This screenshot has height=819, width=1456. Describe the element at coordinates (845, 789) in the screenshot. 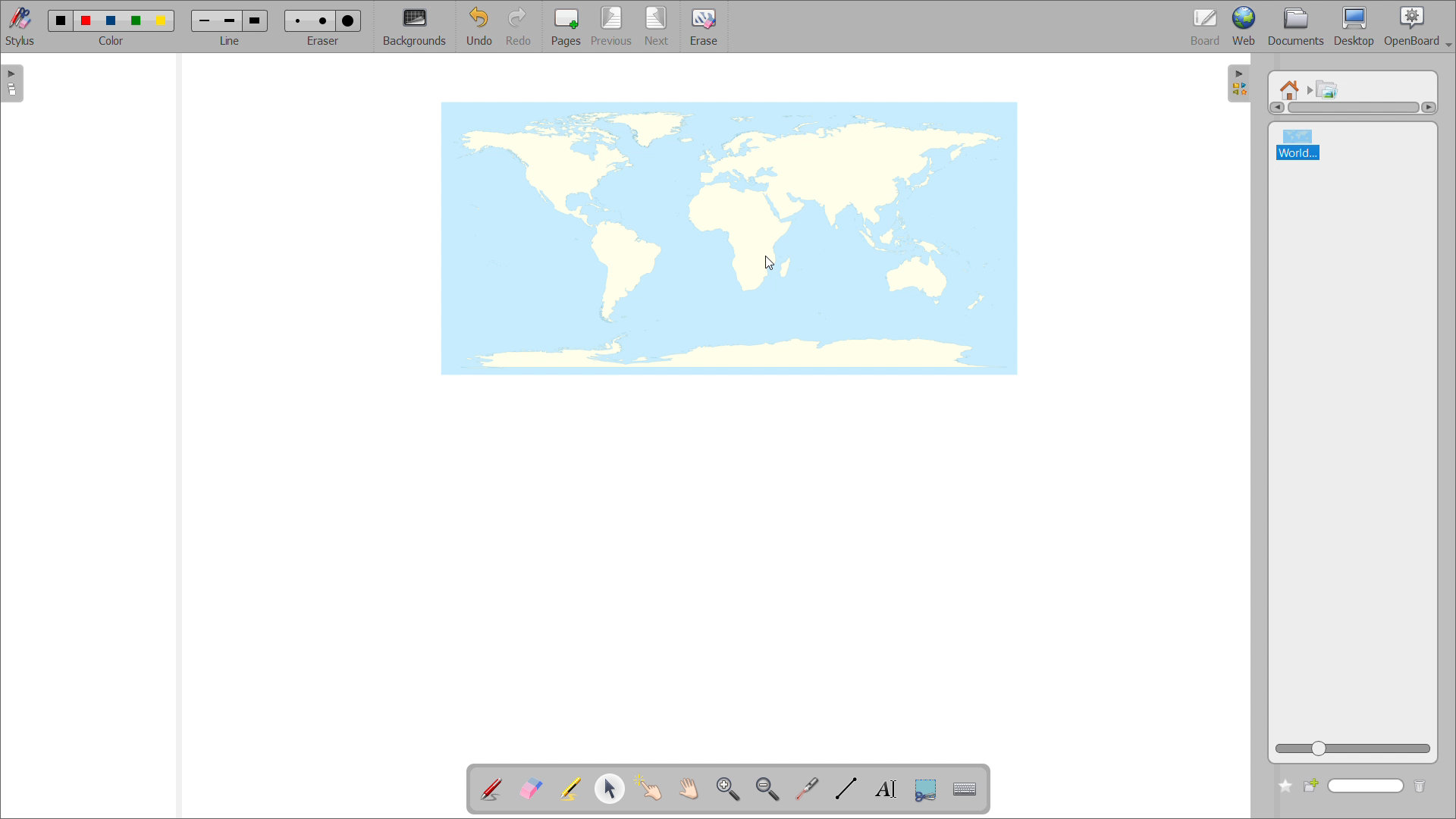

I see `draw lines` at that location.